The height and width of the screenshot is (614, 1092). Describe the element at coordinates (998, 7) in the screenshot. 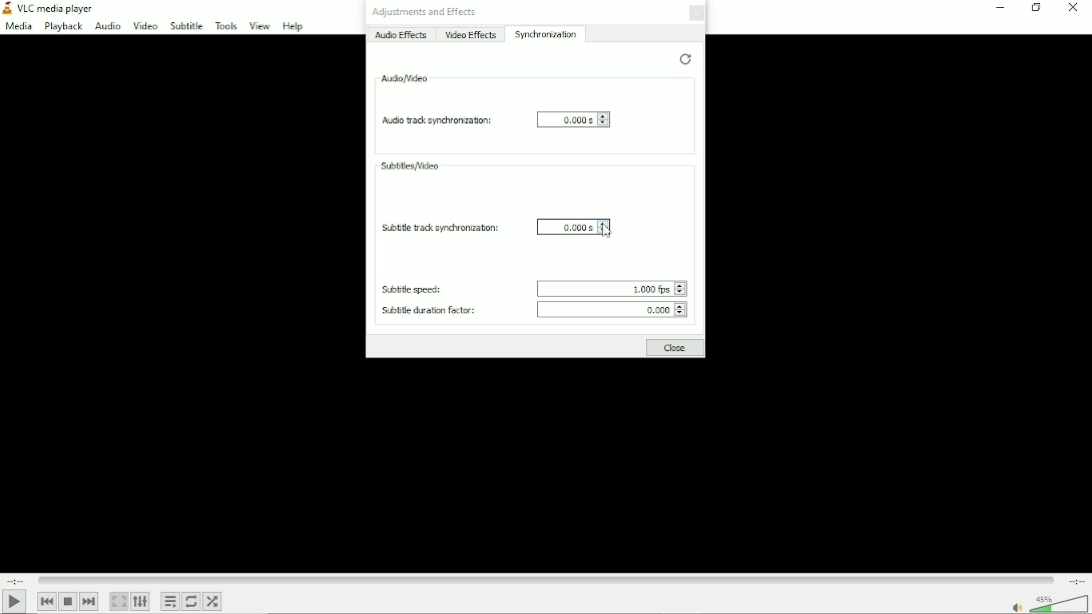

I see `Minimize` at that location.